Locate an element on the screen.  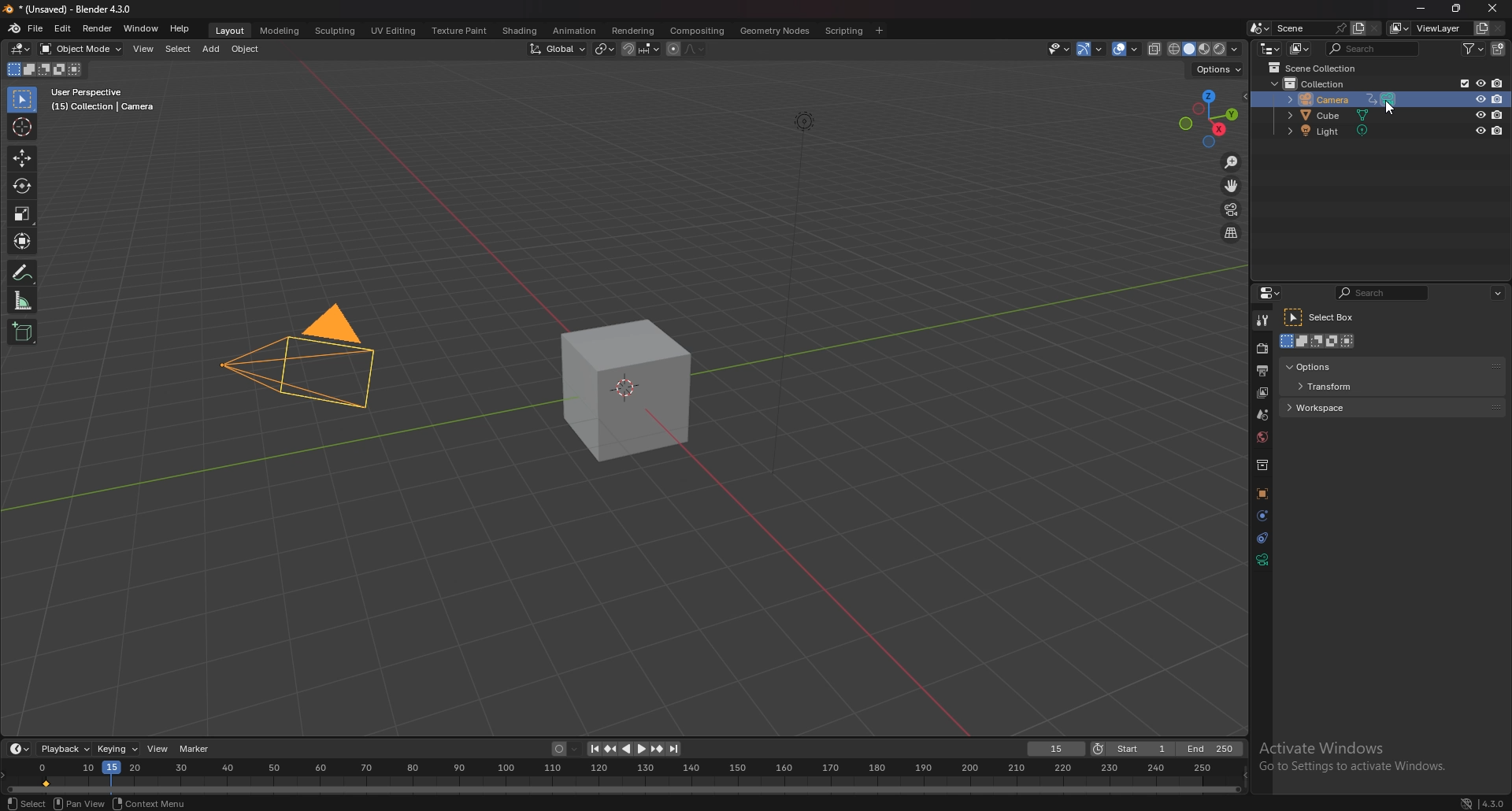
transform is located at coordinates (21, 239).